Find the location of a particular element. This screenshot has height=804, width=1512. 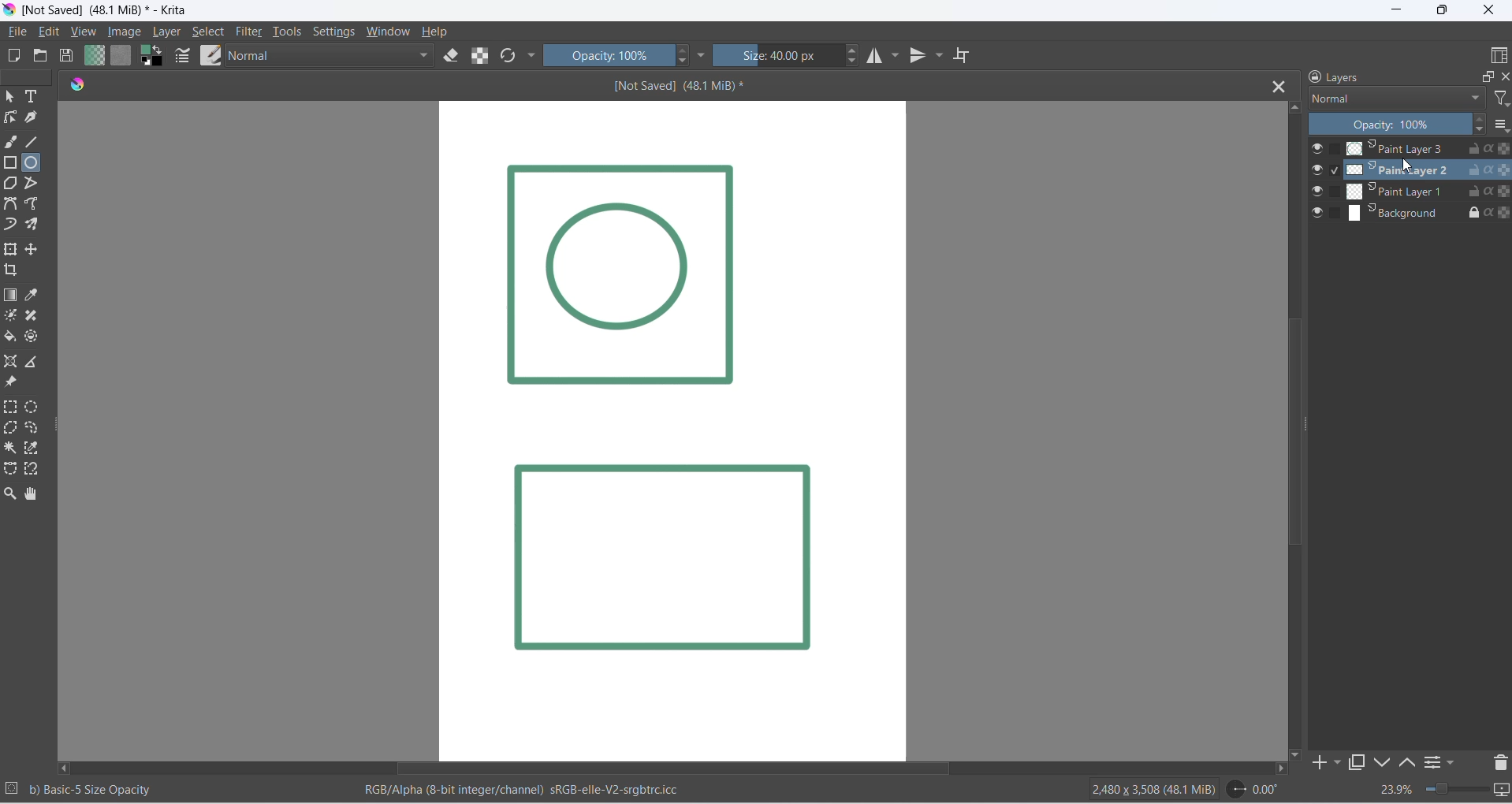

window is located at coordinates (390, 32).